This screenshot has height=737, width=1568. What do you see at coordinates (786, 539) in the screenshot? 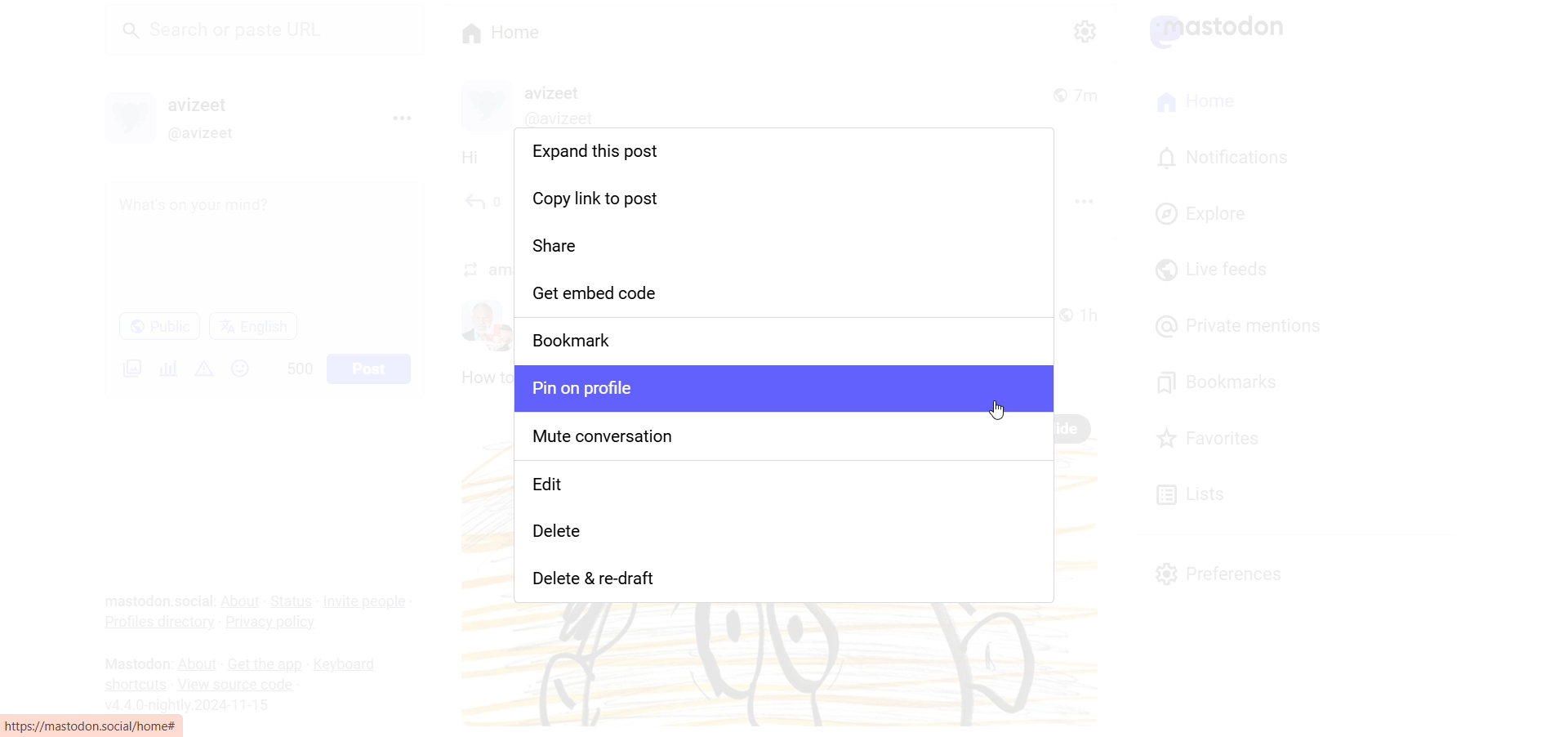
I see `Delete` at bounding box center [786, 539].